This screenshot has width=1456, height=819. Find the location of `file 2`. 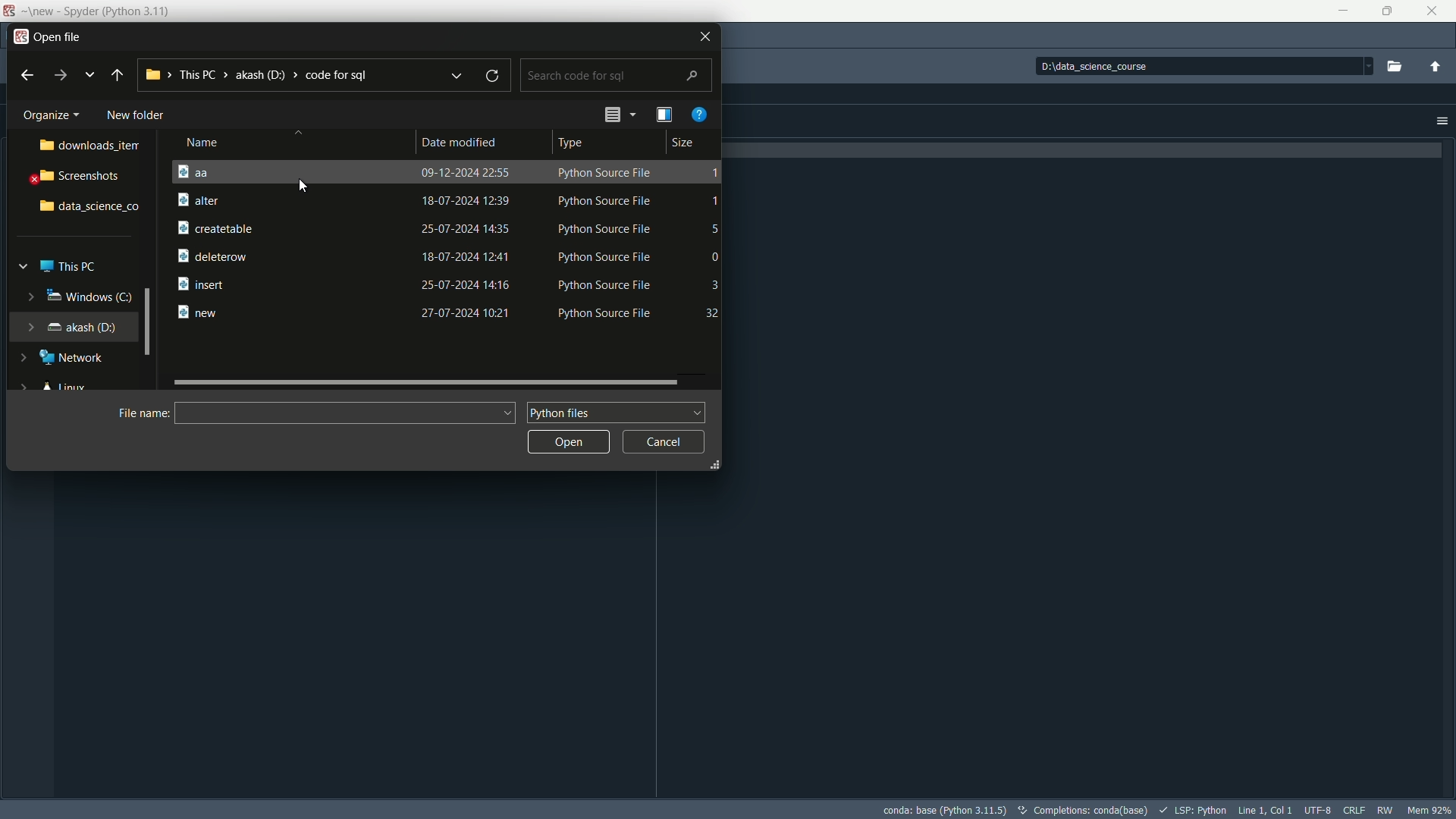

file 2 is located at coordinates (444, 200).